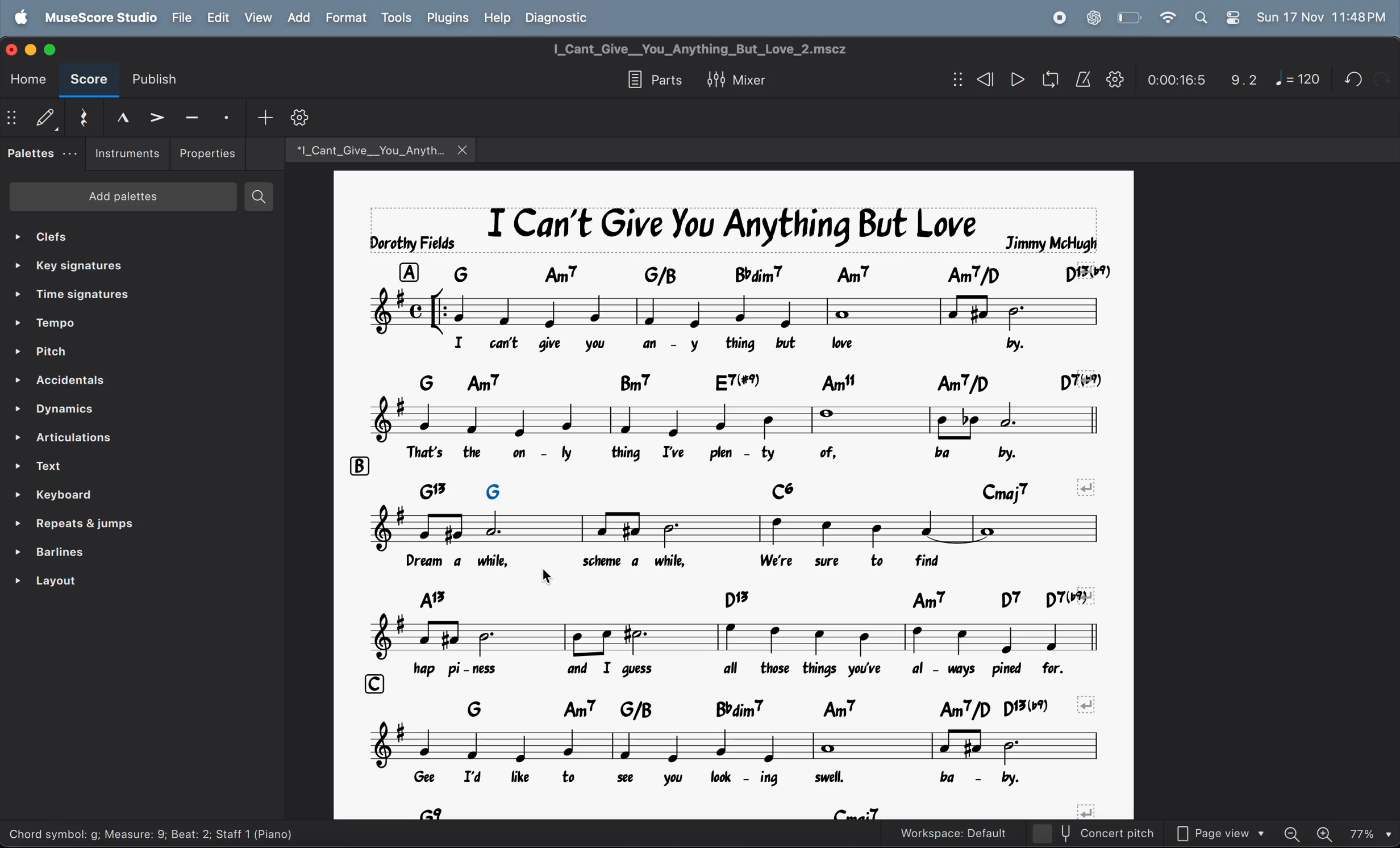 This screenshot has height=848, width=1400. I want to click on key note, so click(747, 272).